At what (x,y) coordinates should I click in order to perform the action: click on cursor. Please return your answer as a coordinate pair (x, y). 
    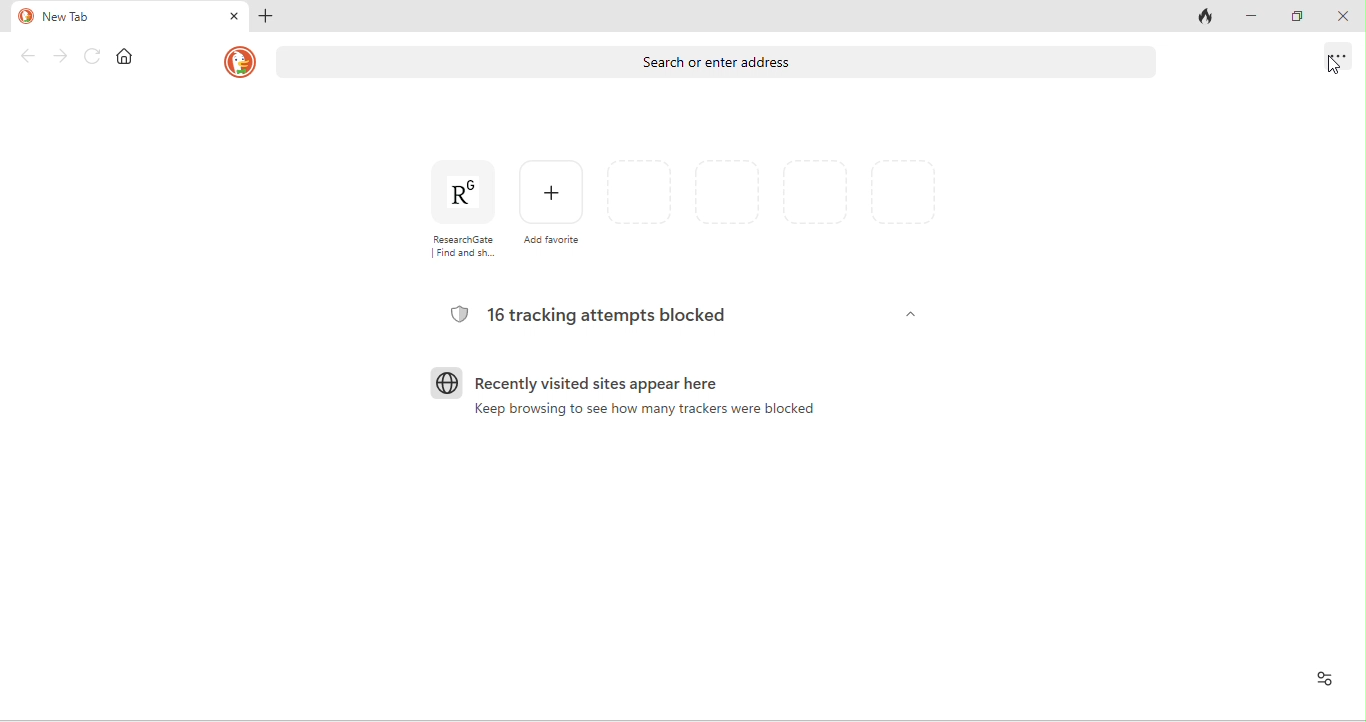
    Looking at the image, I should click on (1329, 70).